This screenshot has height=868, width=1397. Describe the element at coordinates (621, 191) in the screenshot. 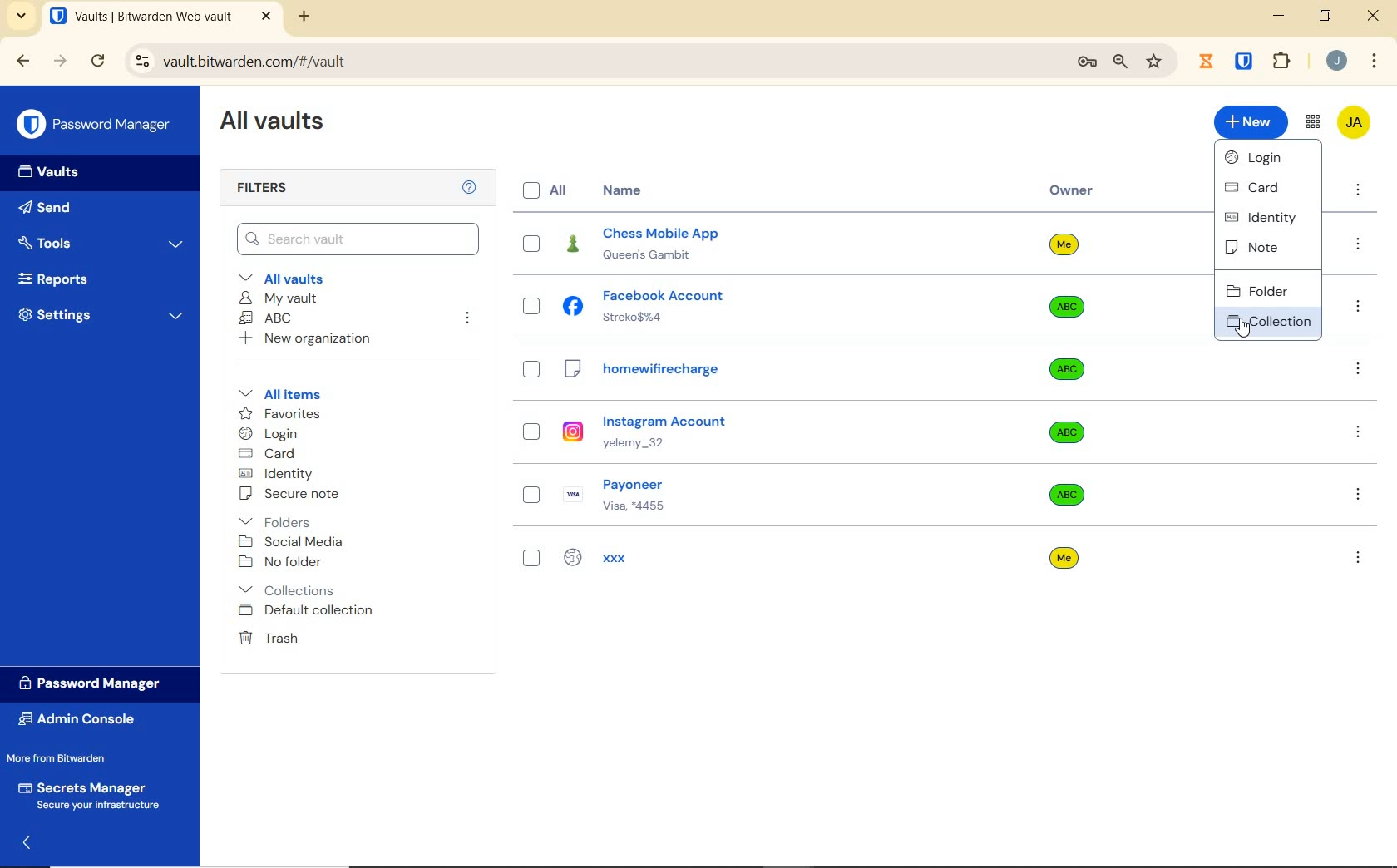

I see `Name` at that location.